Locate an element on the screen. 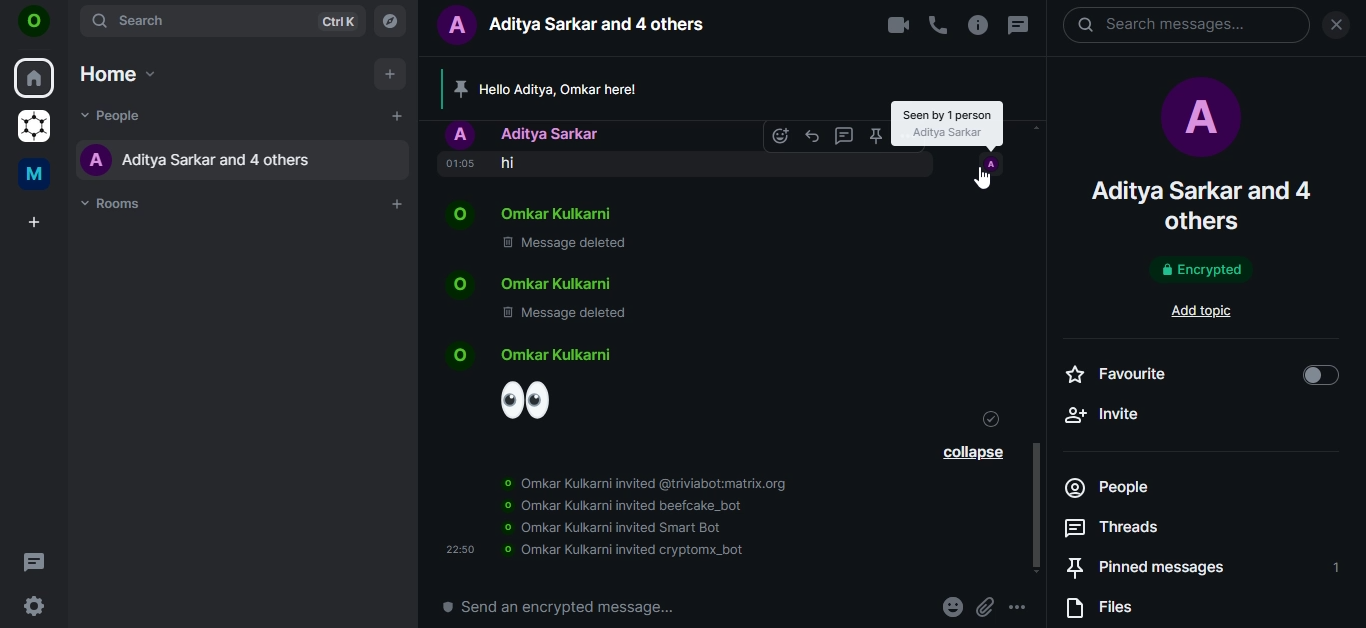 Image resolution: width=1366 pixels, height=628 pixels. search messages is located at coordinates (1185, 27).